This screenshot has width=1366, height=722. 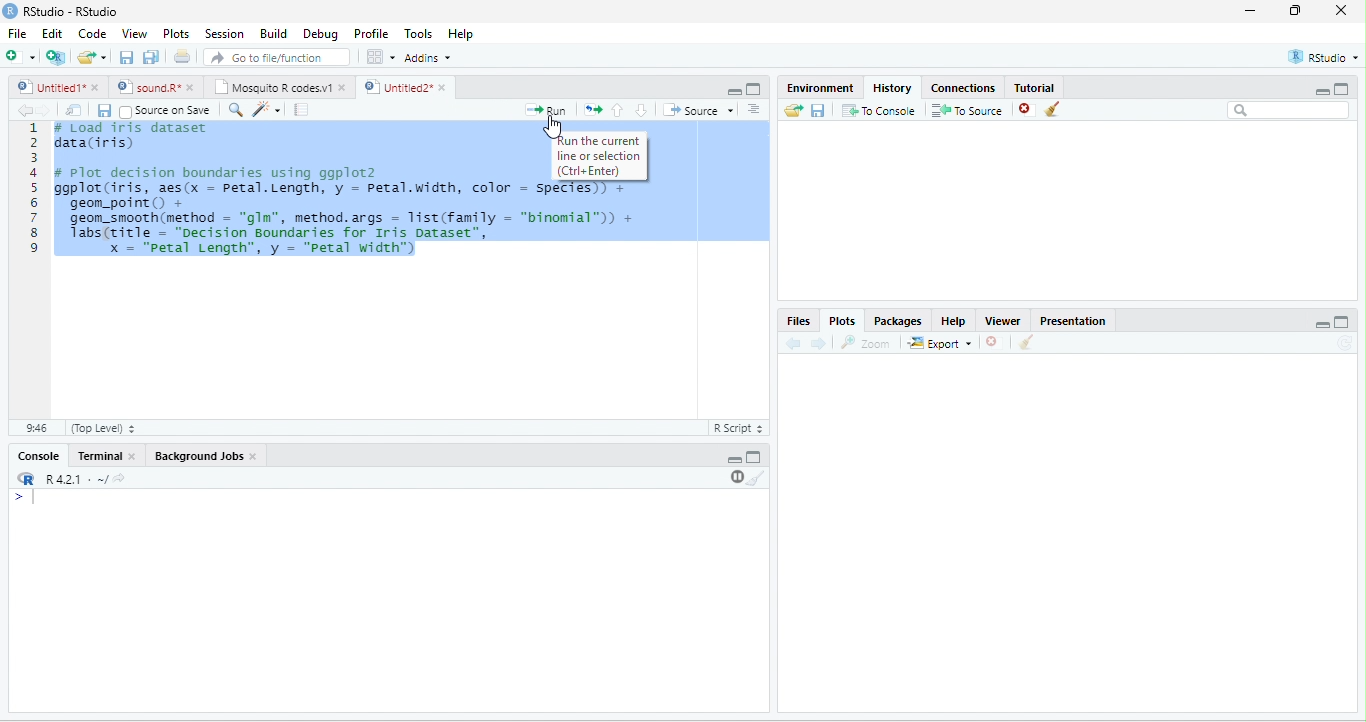 I want to click on close, so click(x=991, y=342).